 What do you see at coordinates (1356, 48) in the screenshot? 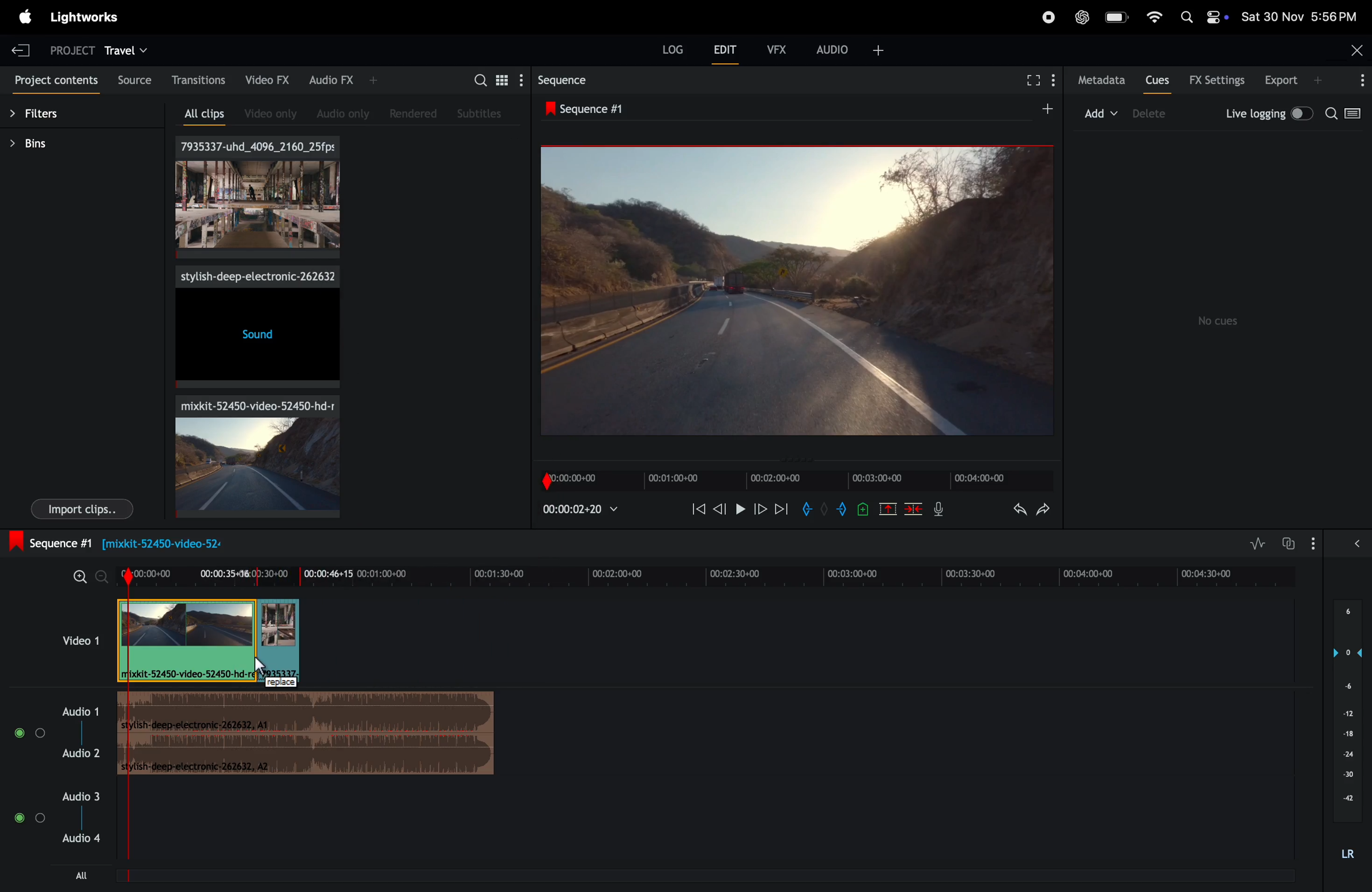
I see `close` at bounding box center [1356, 48].